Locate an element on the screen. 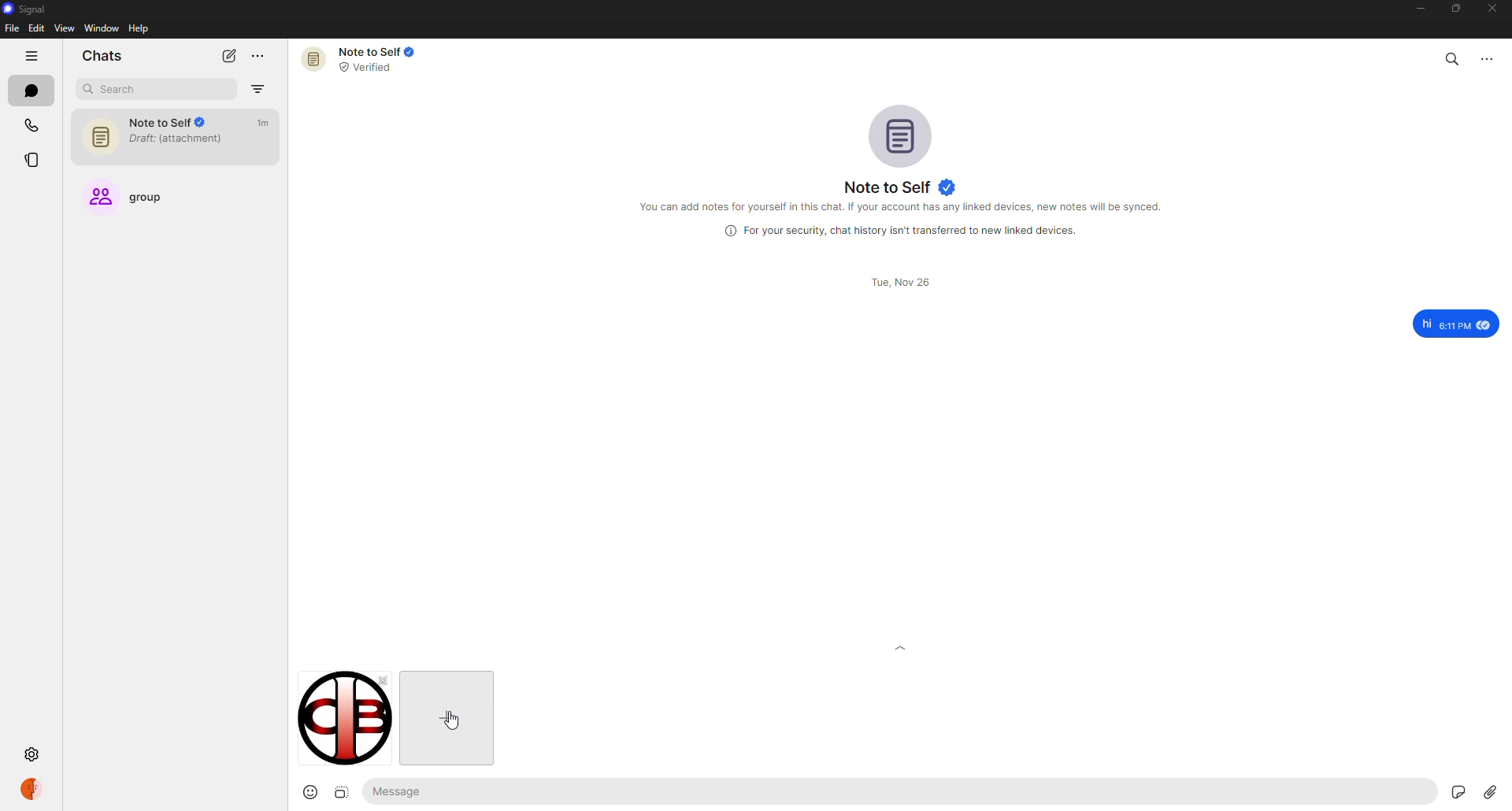 The width and height of the screenshot is (1512, 811). message is located at coordinates (454, 793).